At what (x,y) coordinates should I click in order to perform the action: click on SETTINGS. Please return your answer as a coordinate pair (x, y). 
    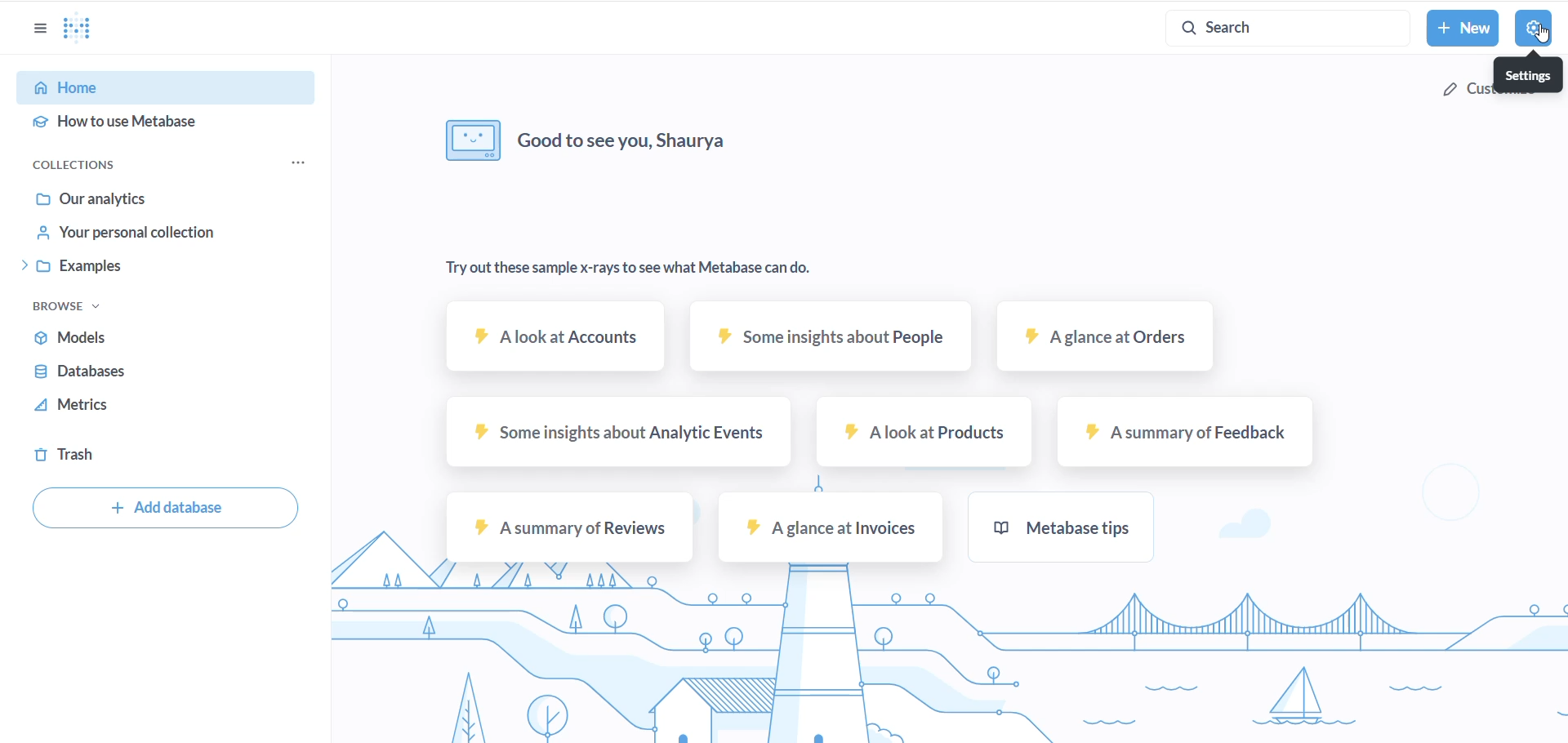
    Looking at the image, I should click on (1527, 75).